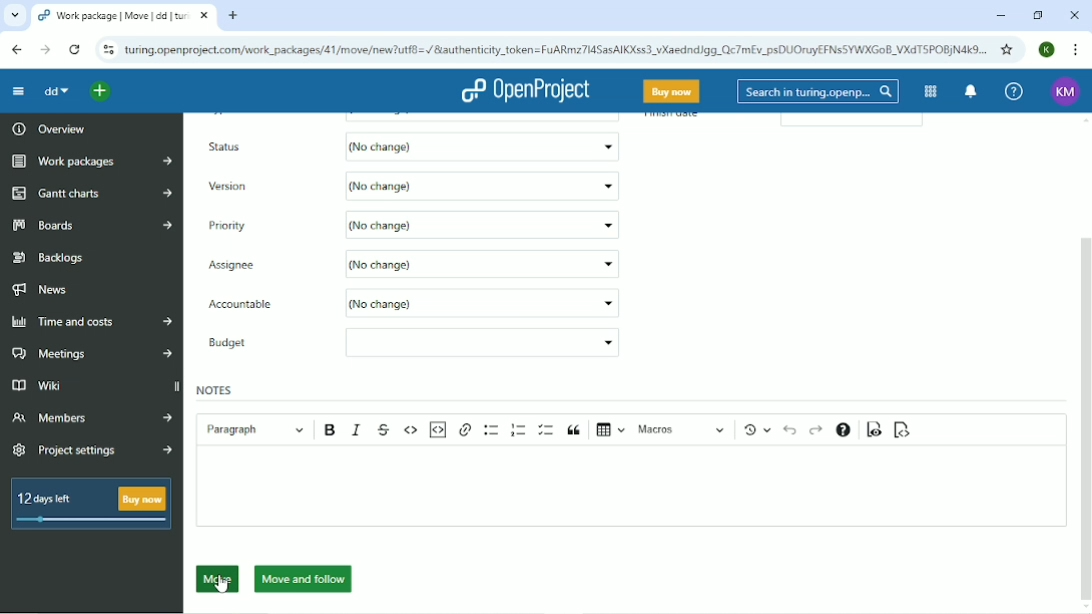  I want to click on Customize and conrol google chrome, so click(1076, 50).